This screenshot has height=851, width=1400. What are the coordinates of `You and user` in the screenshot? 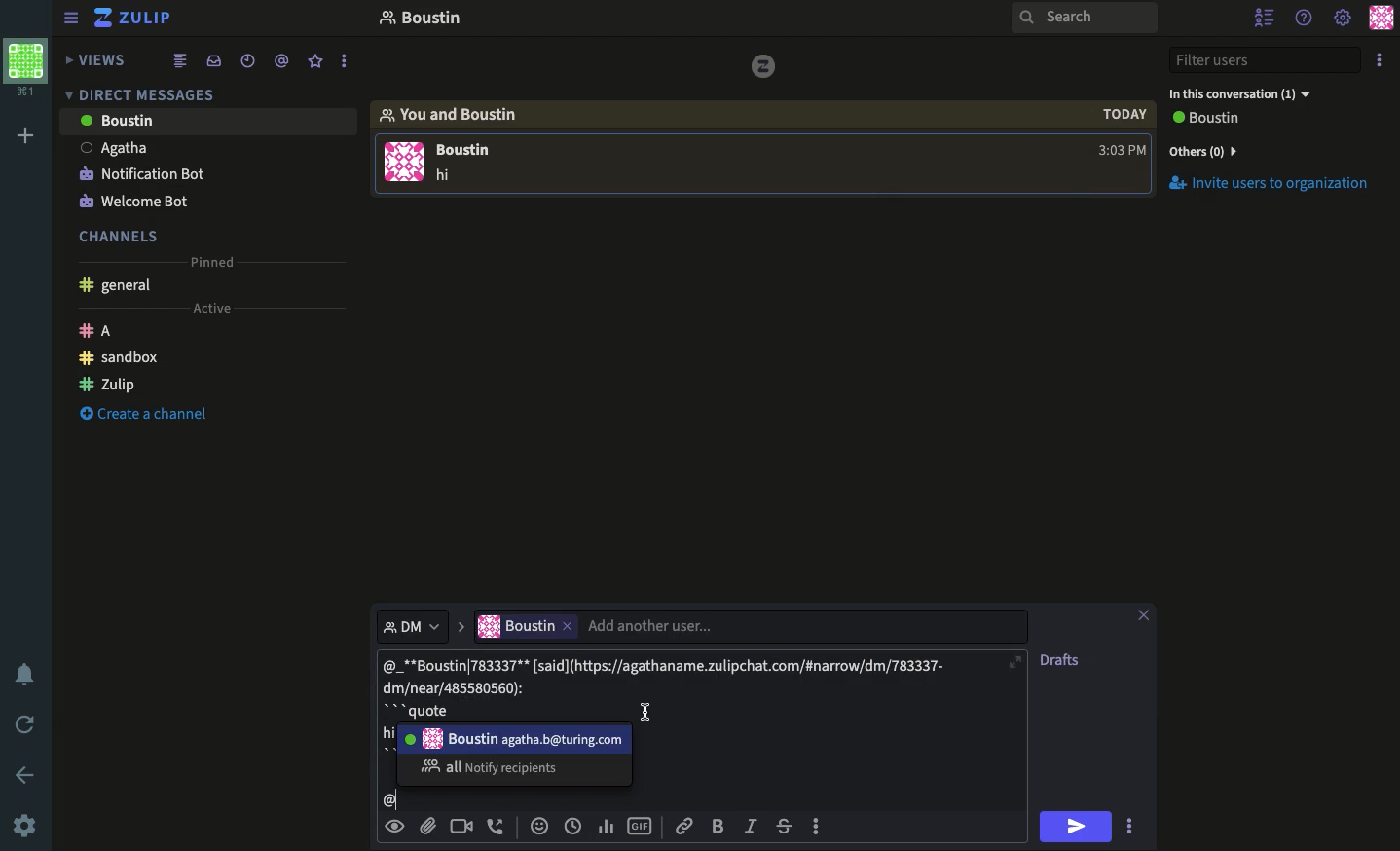 It's located at (458, 114).